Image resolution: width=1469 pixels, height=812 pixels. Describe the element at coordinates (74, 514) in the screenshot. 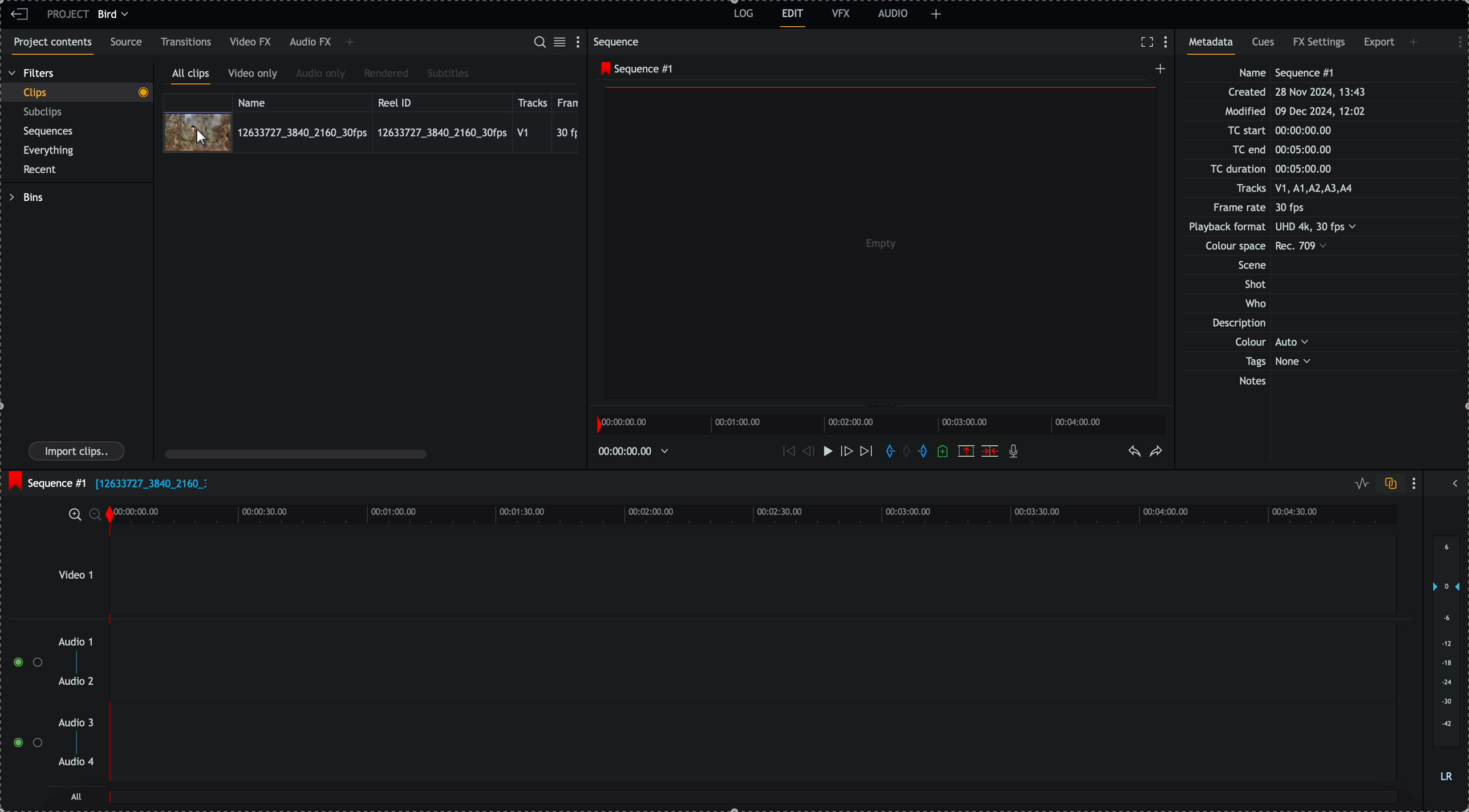

I see `zoom in` at that location.